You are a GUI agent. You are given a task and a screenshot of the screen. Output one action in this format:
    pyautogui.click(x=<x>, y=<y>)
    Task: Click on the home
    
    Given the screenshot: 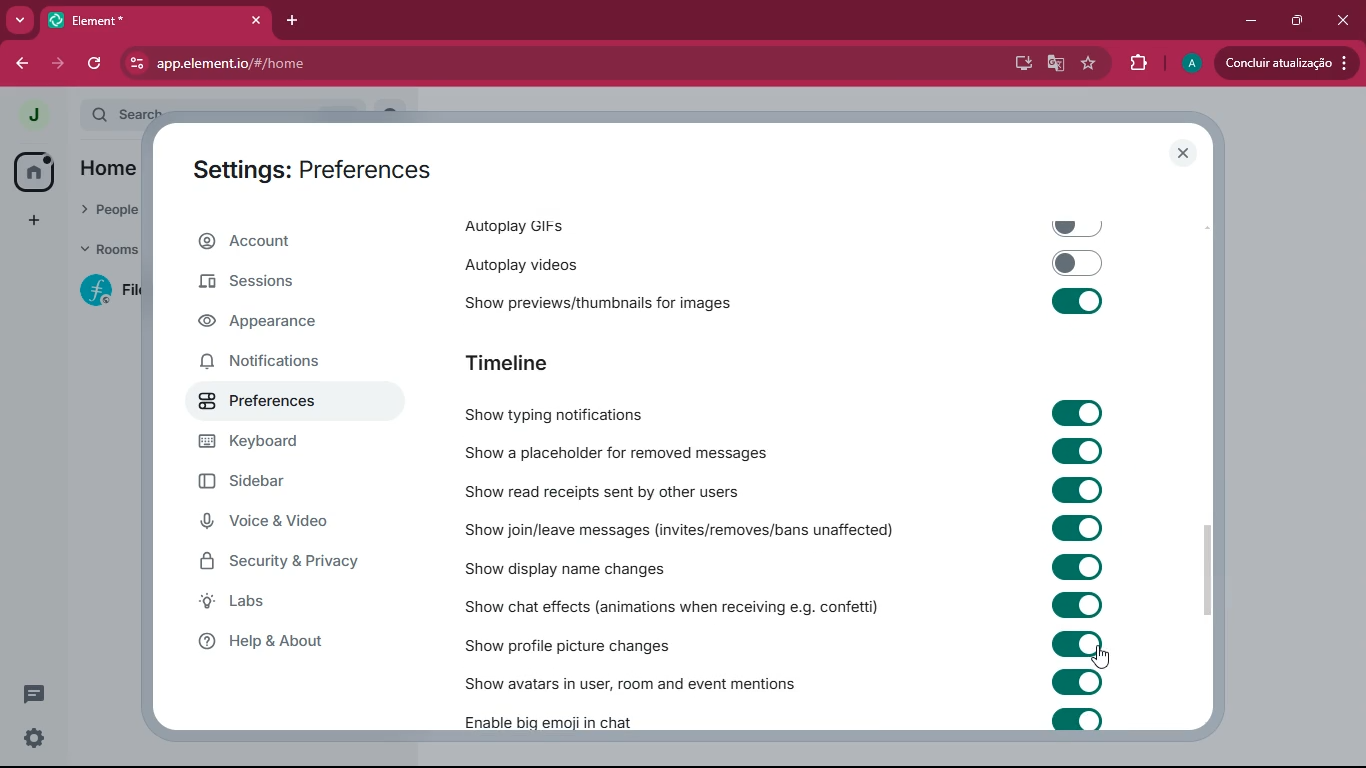 What is the action you would take?
    pyautogui.click(x=32, y=172)
    